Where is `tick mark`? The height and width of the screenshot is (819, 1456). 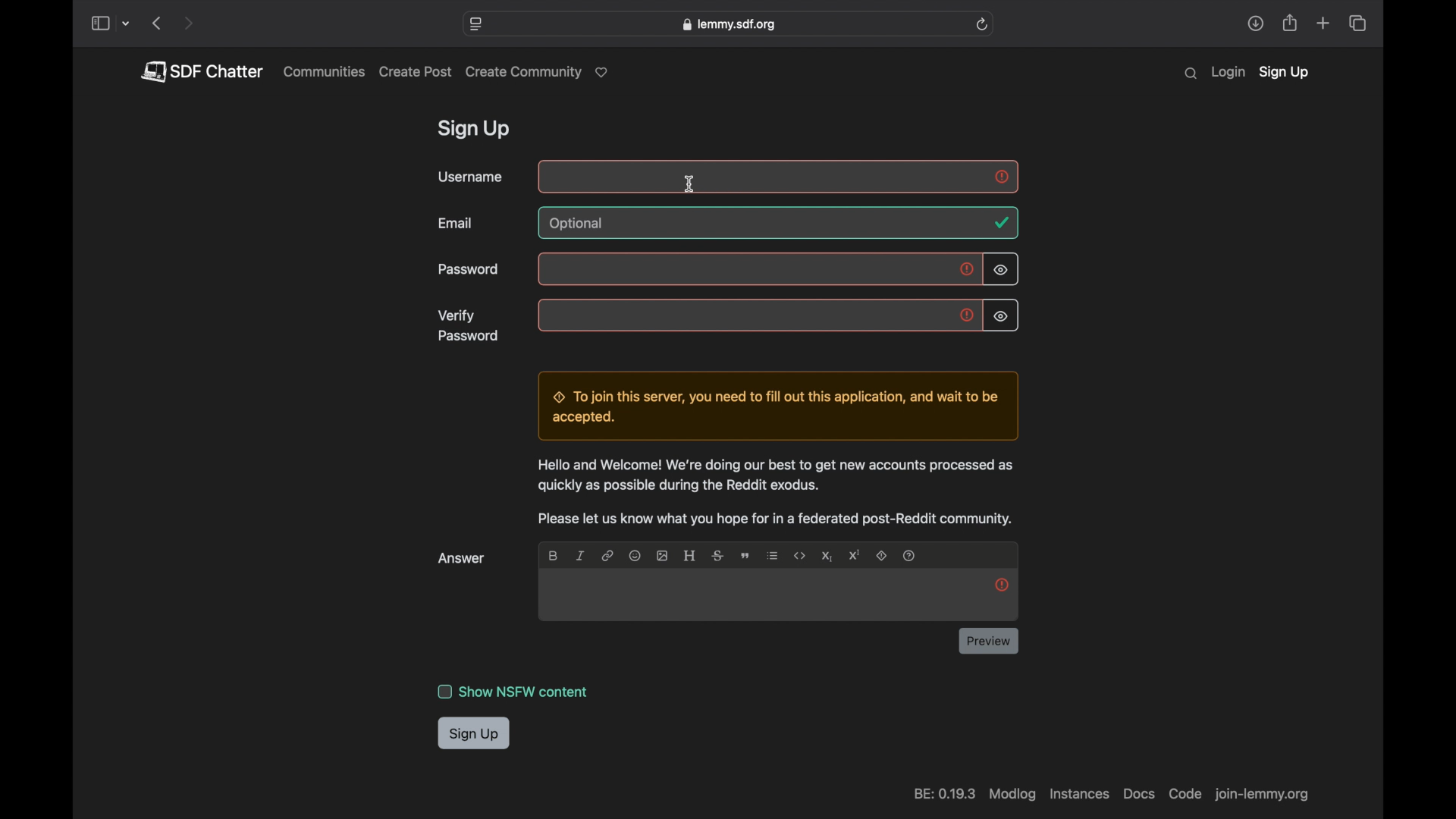 tick mark is located at coordinates (1001, 223).